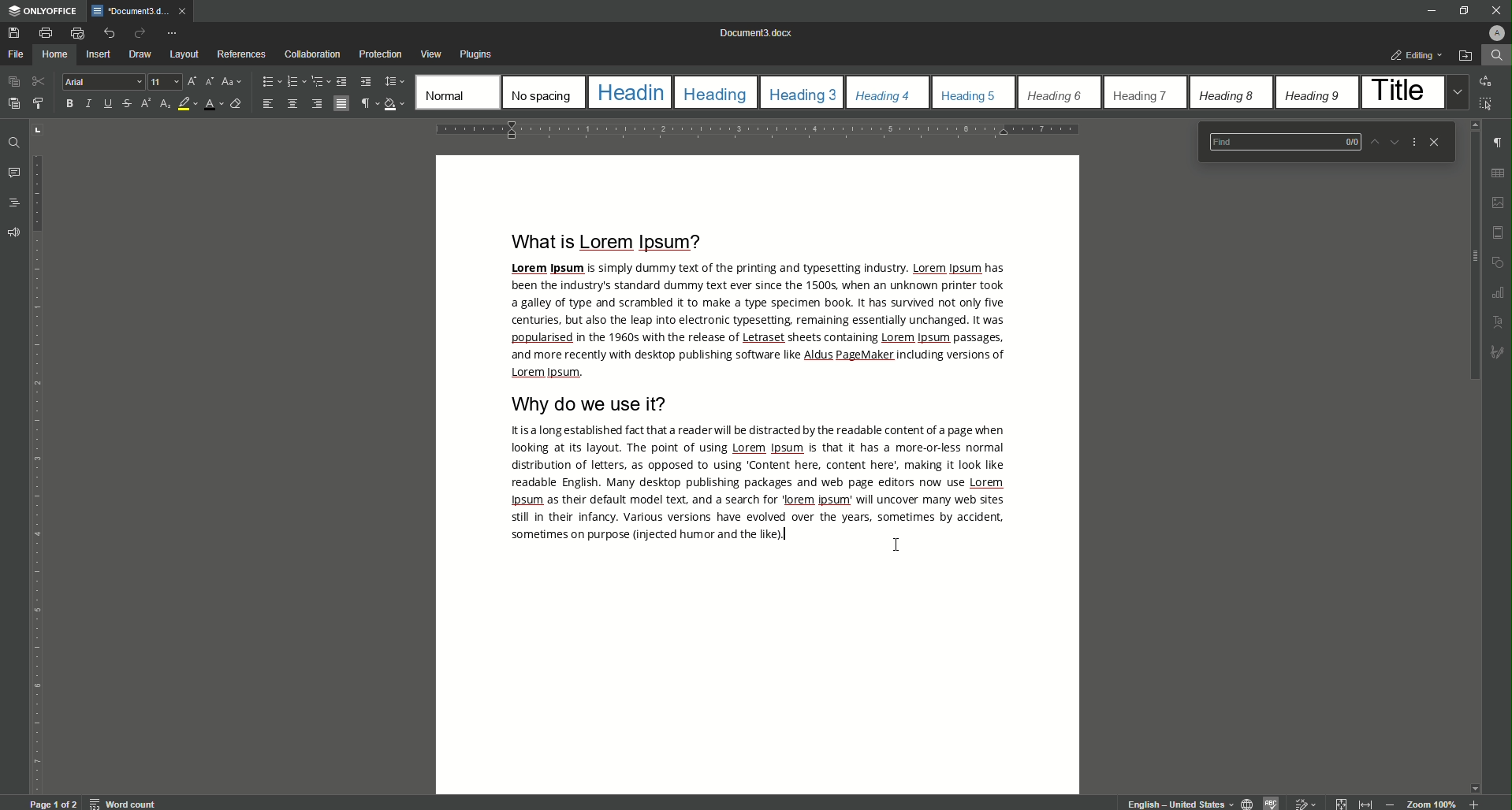 The height and width of the screenshot is (810, 1512). What do you see at coordinates (209, 104) in the screenshot?
I see `Font Color` at bounding box center [209, 104].